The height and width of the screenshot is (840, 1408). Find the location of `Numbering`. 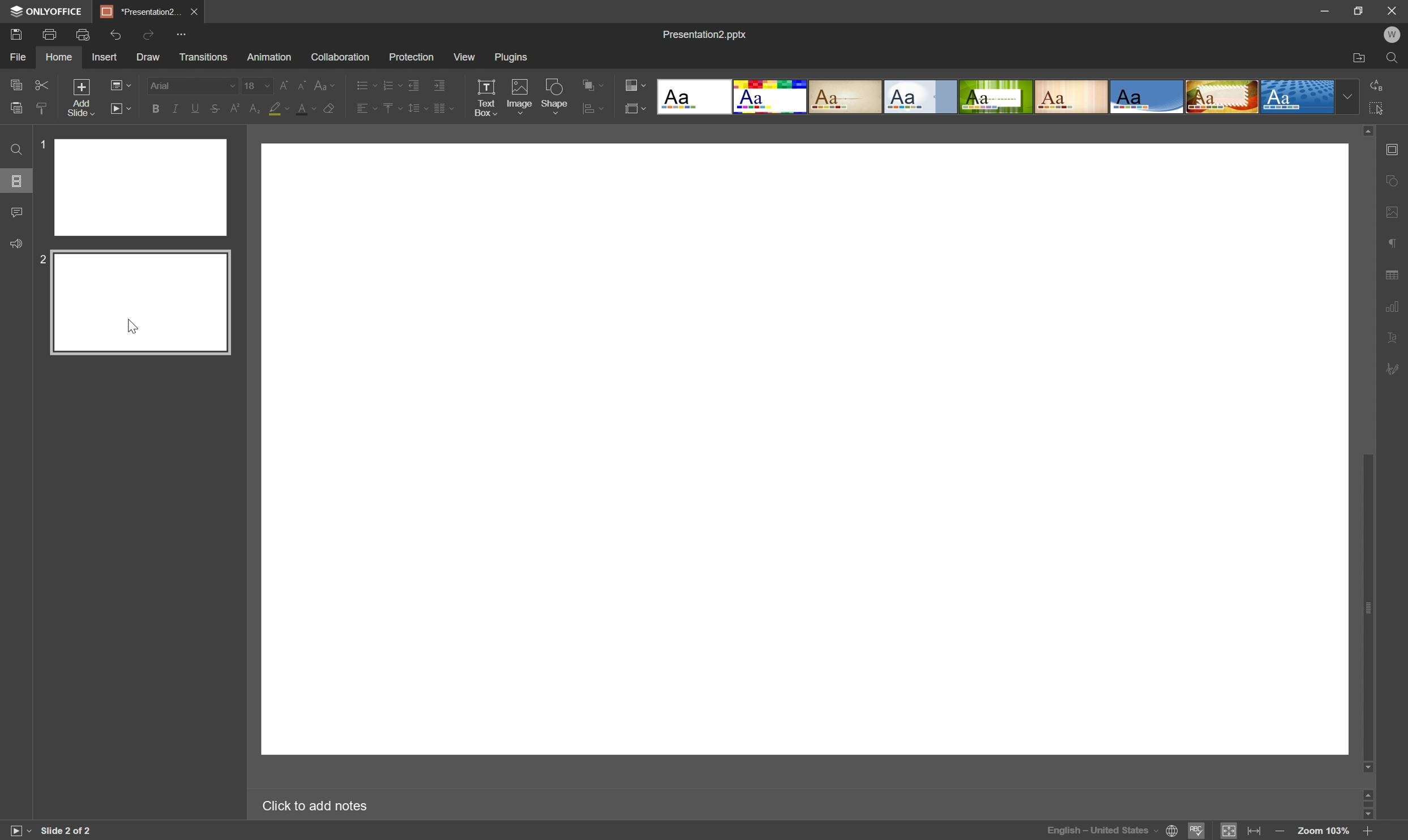

Numbering is located at coordinates (391, 83).